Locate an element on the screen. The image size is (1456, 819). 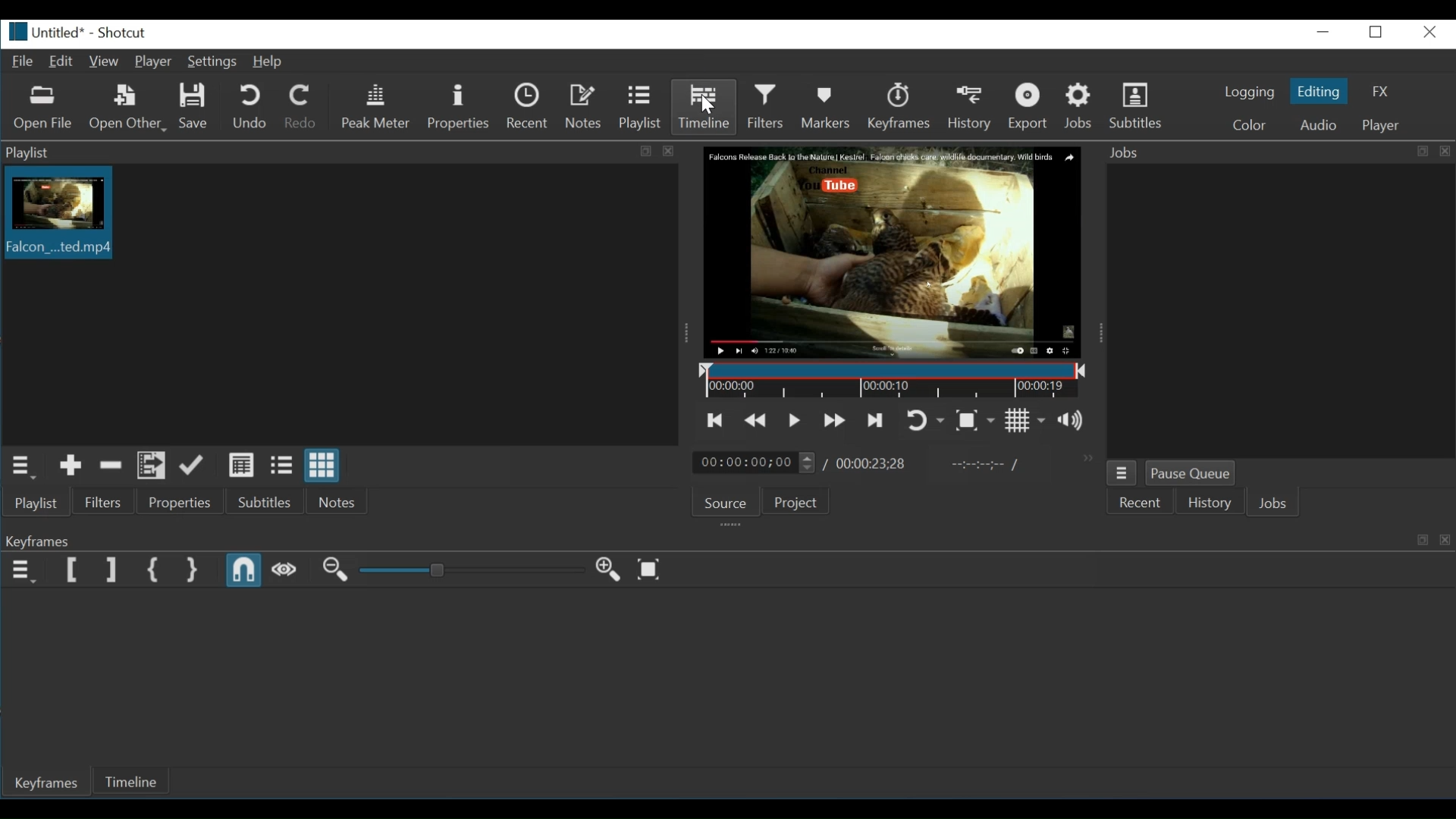
Set Filter last is located at coordinates (112, 569).